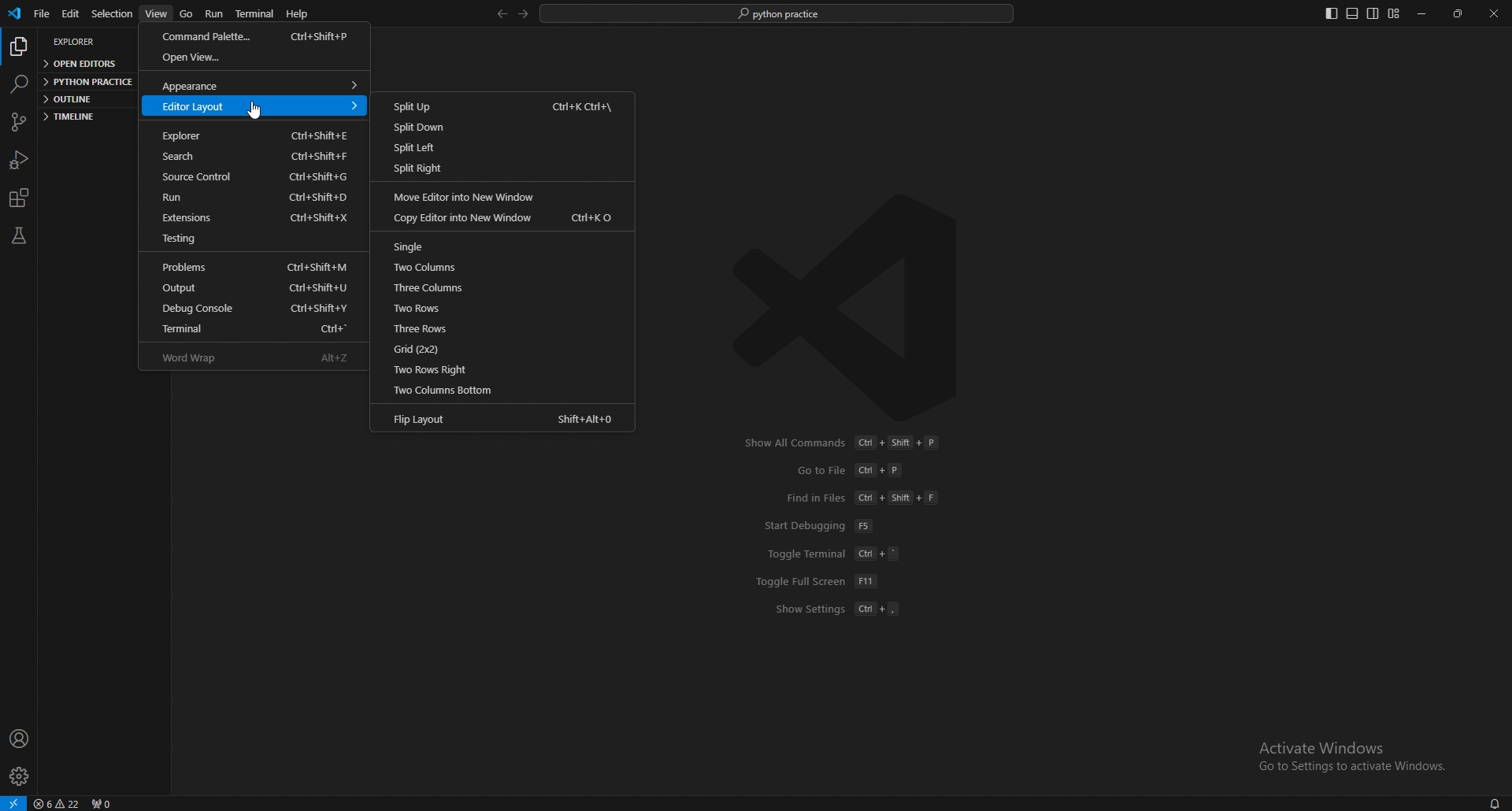 This screenshot has width=1512, height=811. What do you see at coordinates (250, 239) in the screenshot?
I see `testing` at bounding box center [250, 239].